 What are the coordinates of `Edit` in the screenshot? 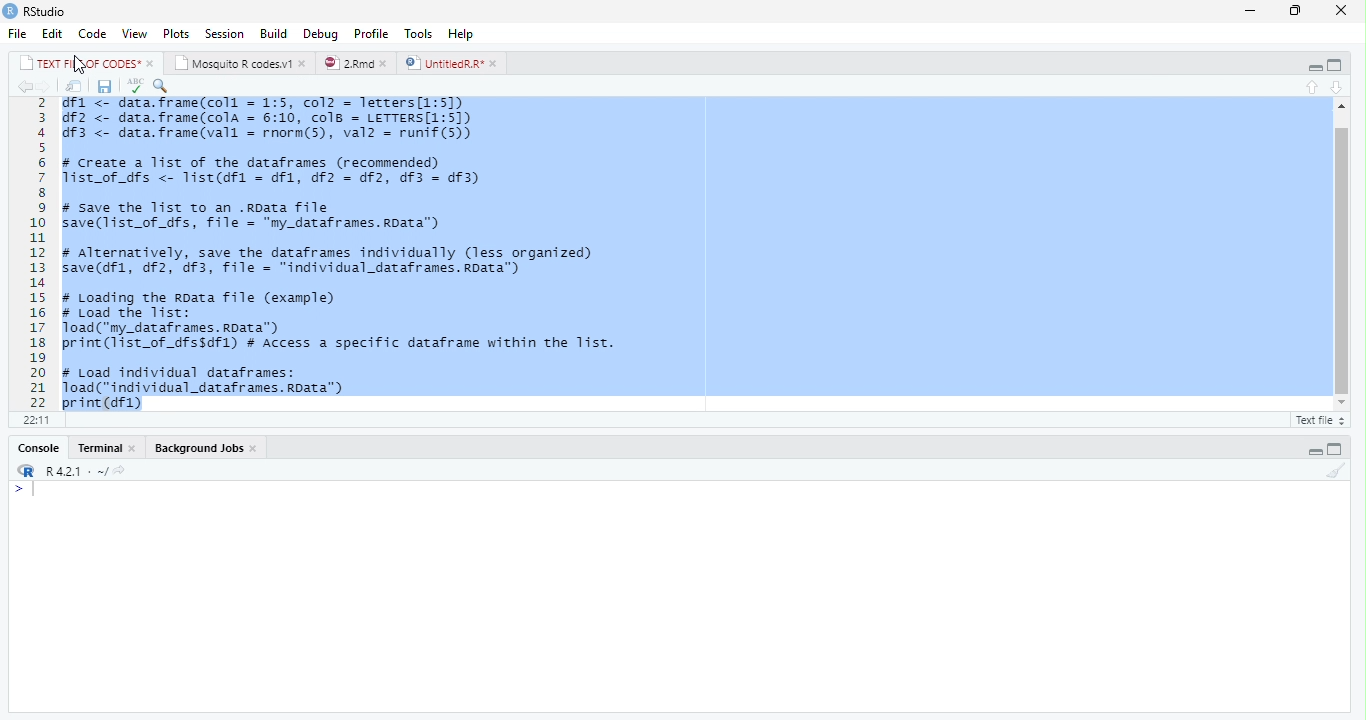 It's located at (53, 33).